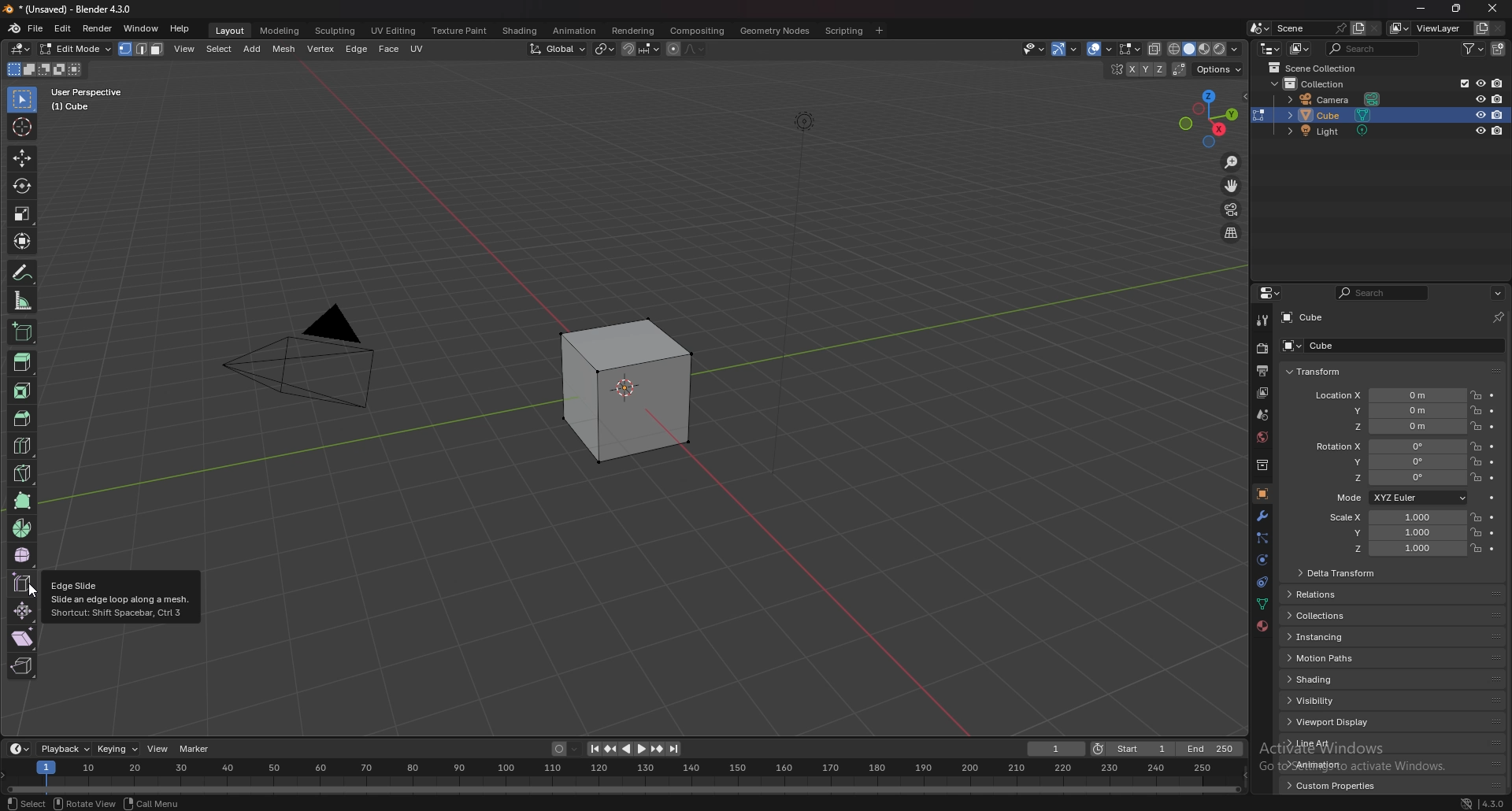 This screenshot has height=811, width=1512. Describe the element at coordinates (1380, 115) in the screenshot. I see `cube` at that location.